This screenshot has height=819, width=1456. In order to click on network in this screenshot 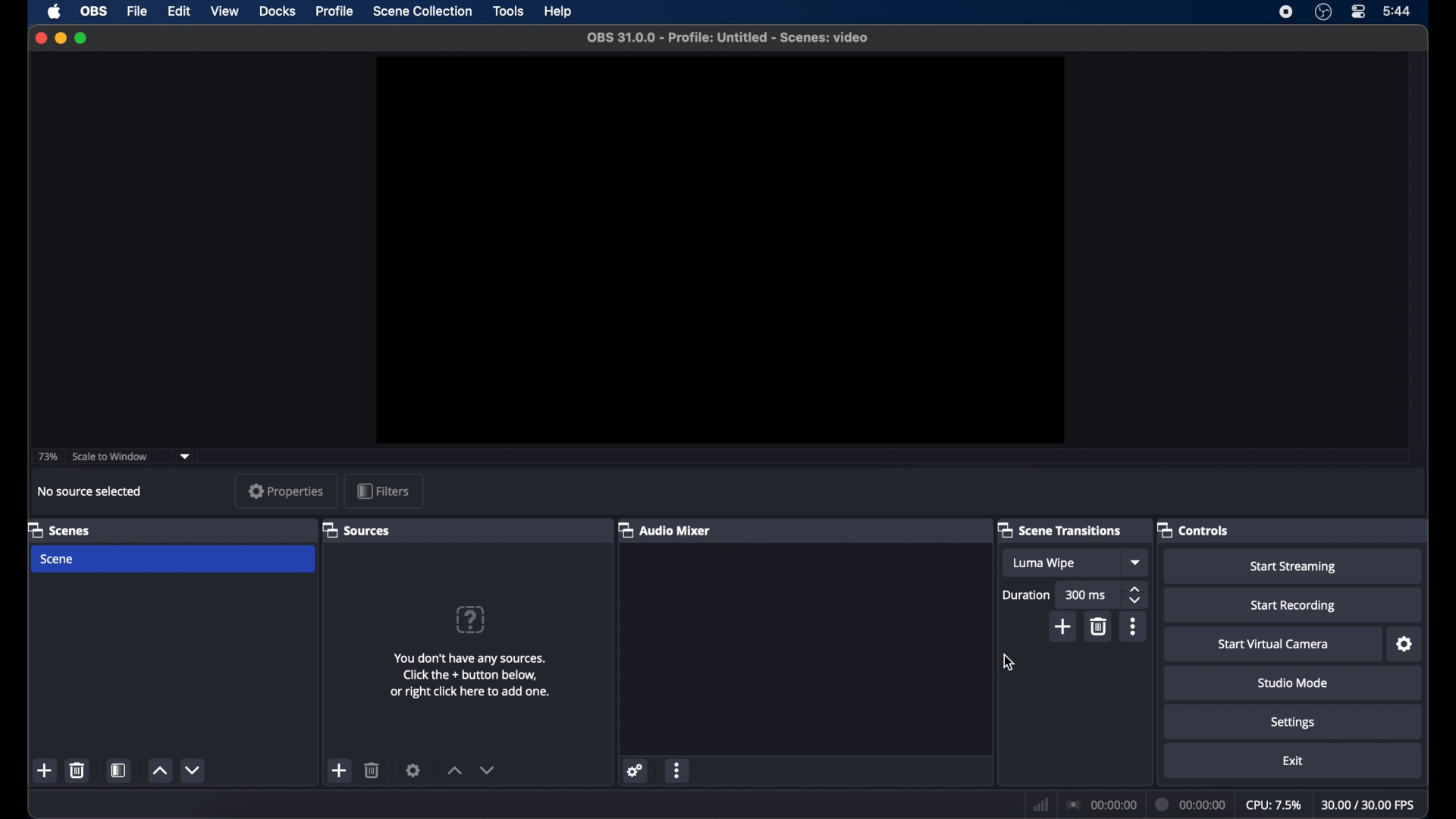, I will do `click(1041, 805)`.